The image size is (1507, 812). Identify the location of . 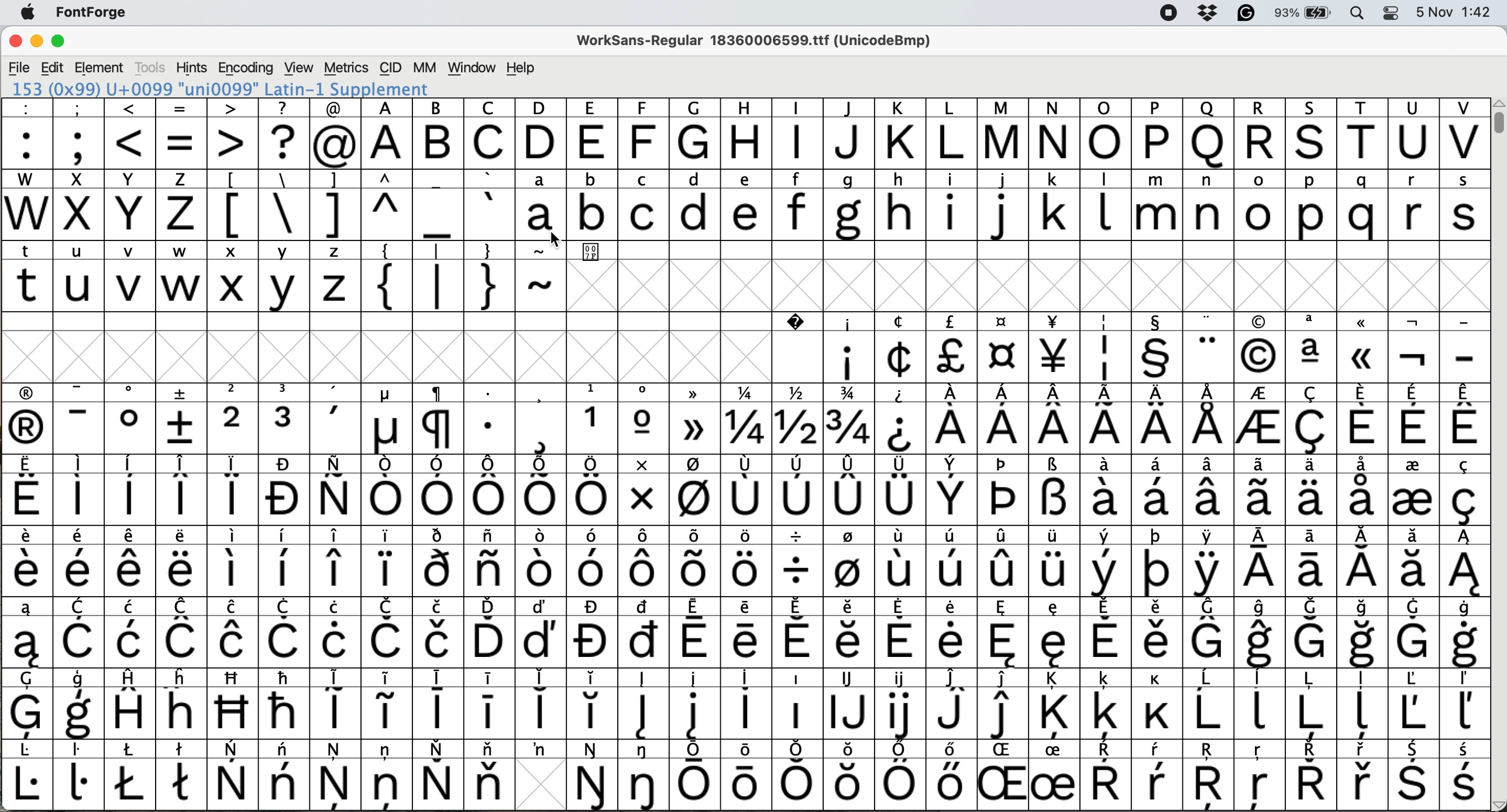
(1208, 133).